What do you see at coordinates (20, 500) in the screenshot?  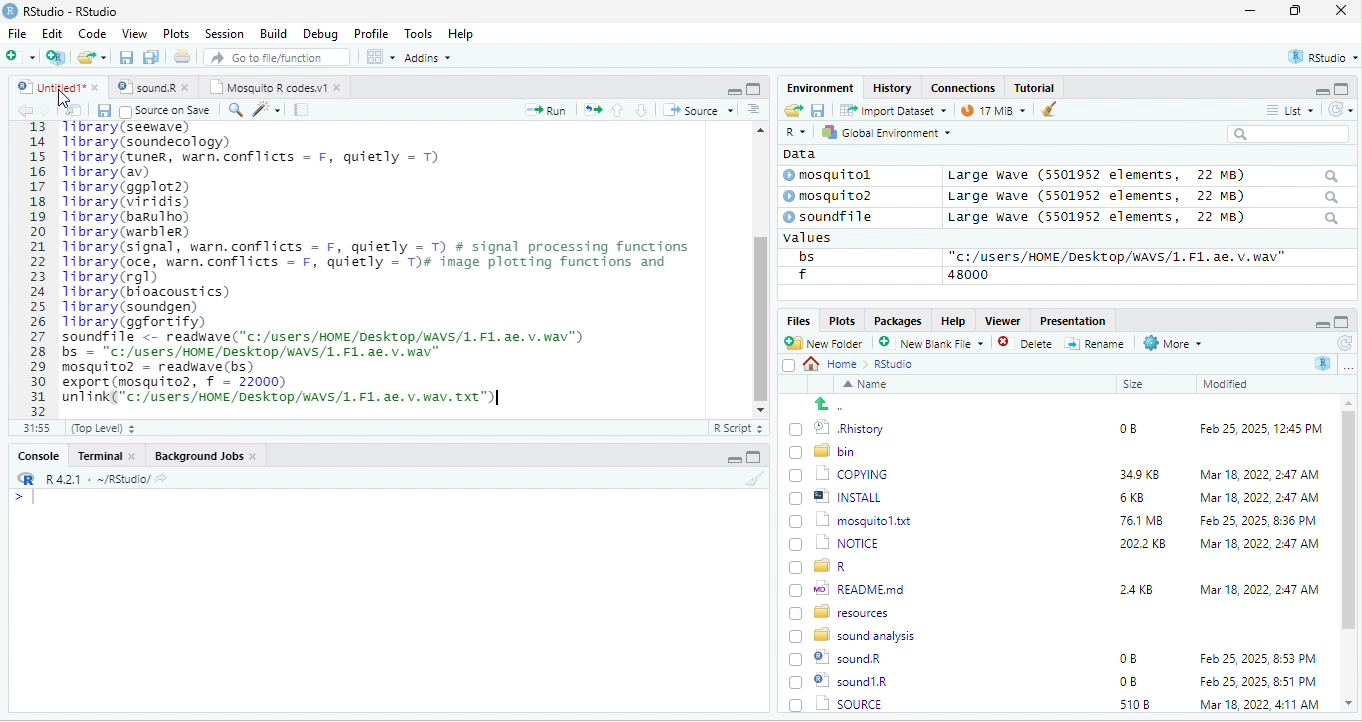 I see `syntax` at bounding box center [20, 500].